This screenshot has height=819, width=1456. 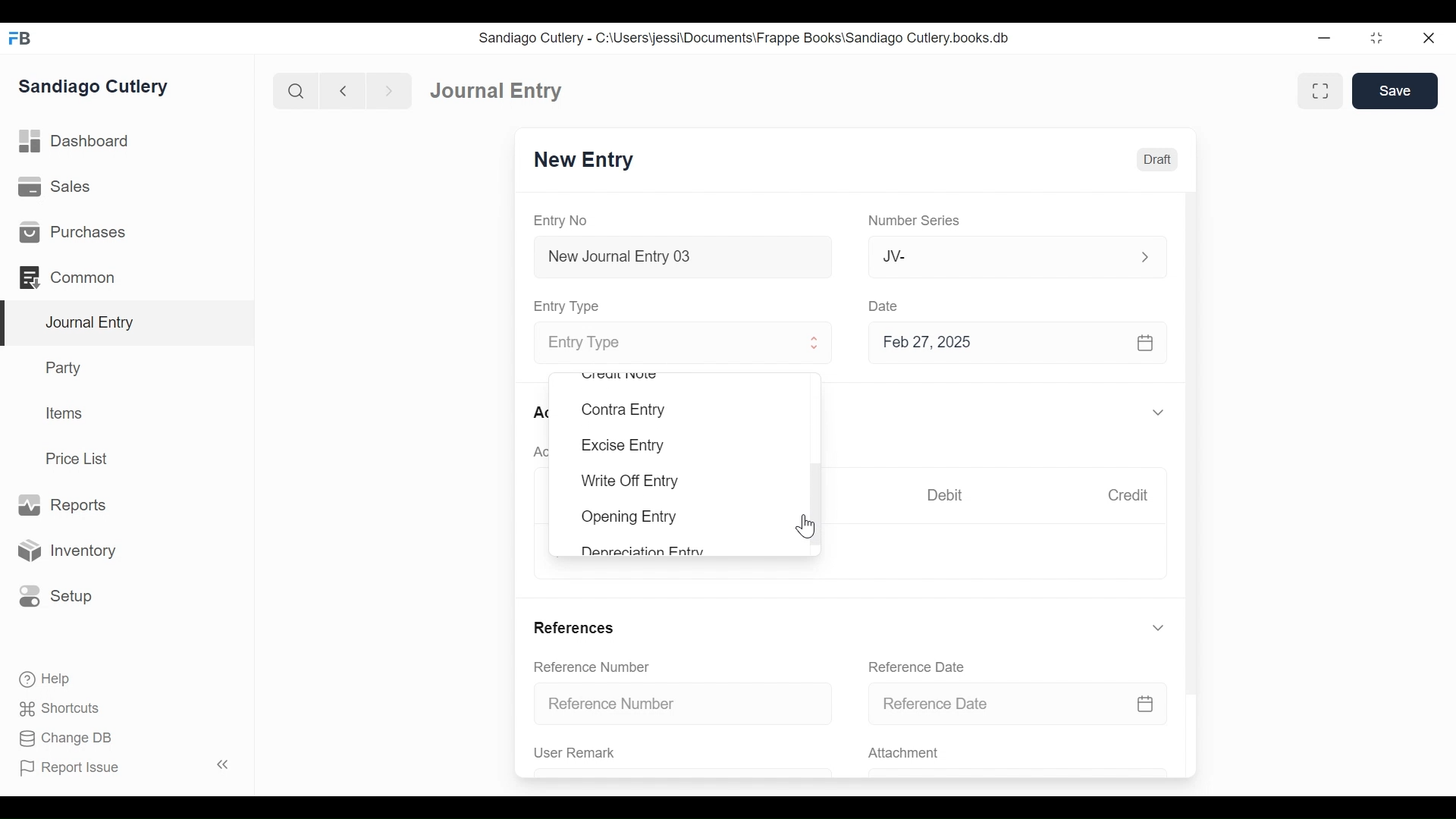 I want to click on Reports, so click(x=67, y=505).